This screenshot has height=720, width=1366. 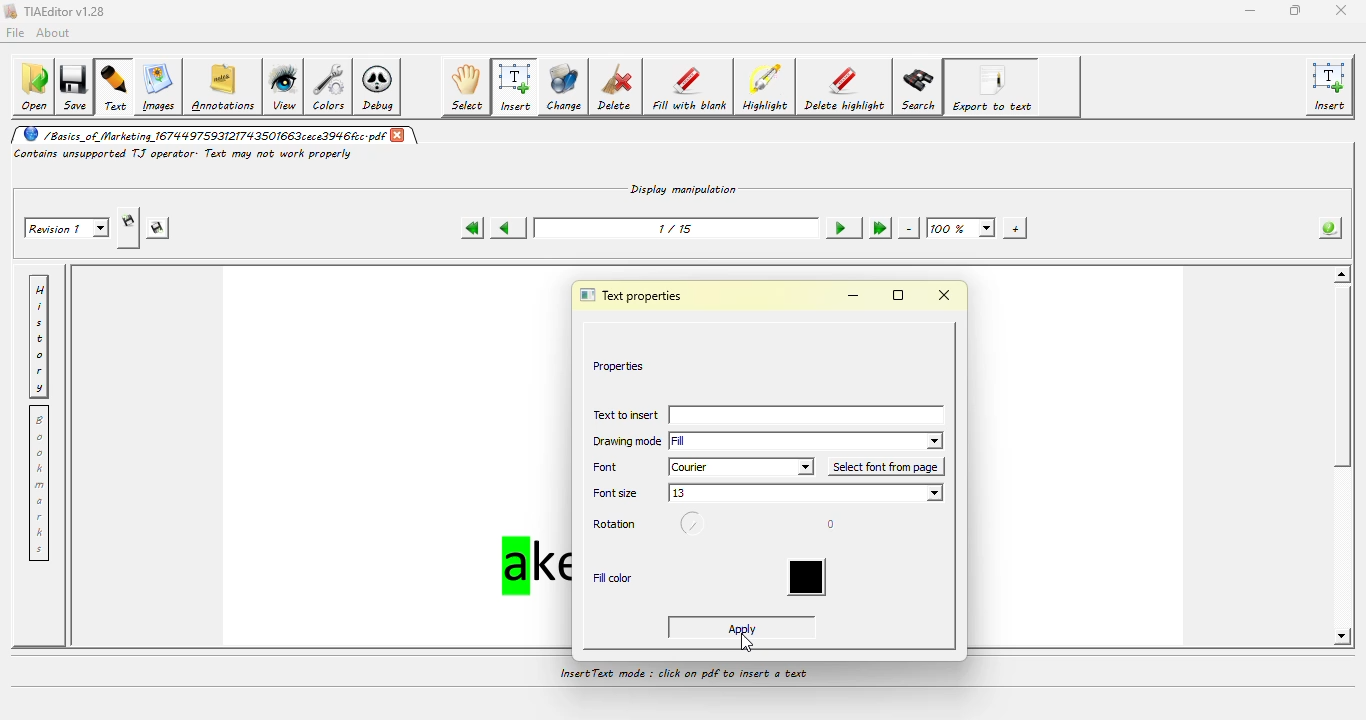 What do you see at coordinates (947, 296) in the screenshot?
I see `close` at bounding box center [947, 296].